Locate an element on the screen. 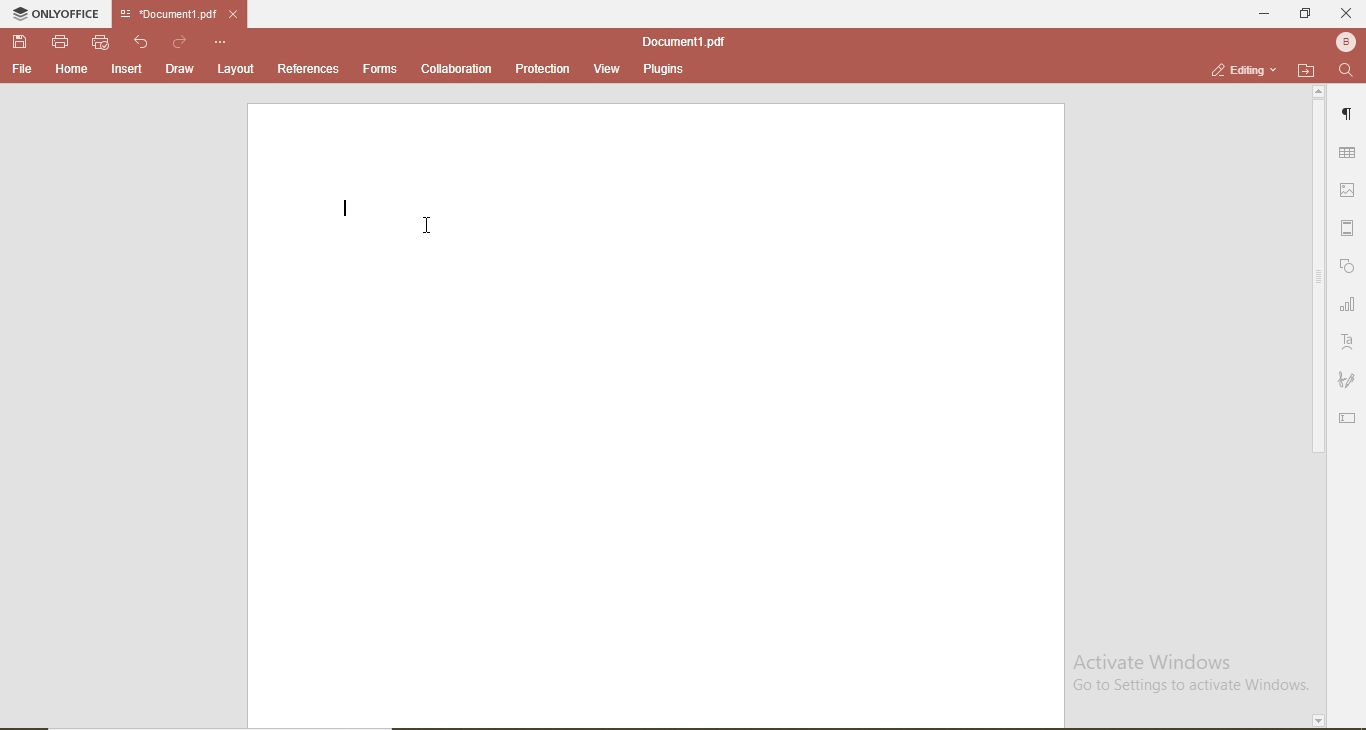  save is located at coordinates (20, 42).